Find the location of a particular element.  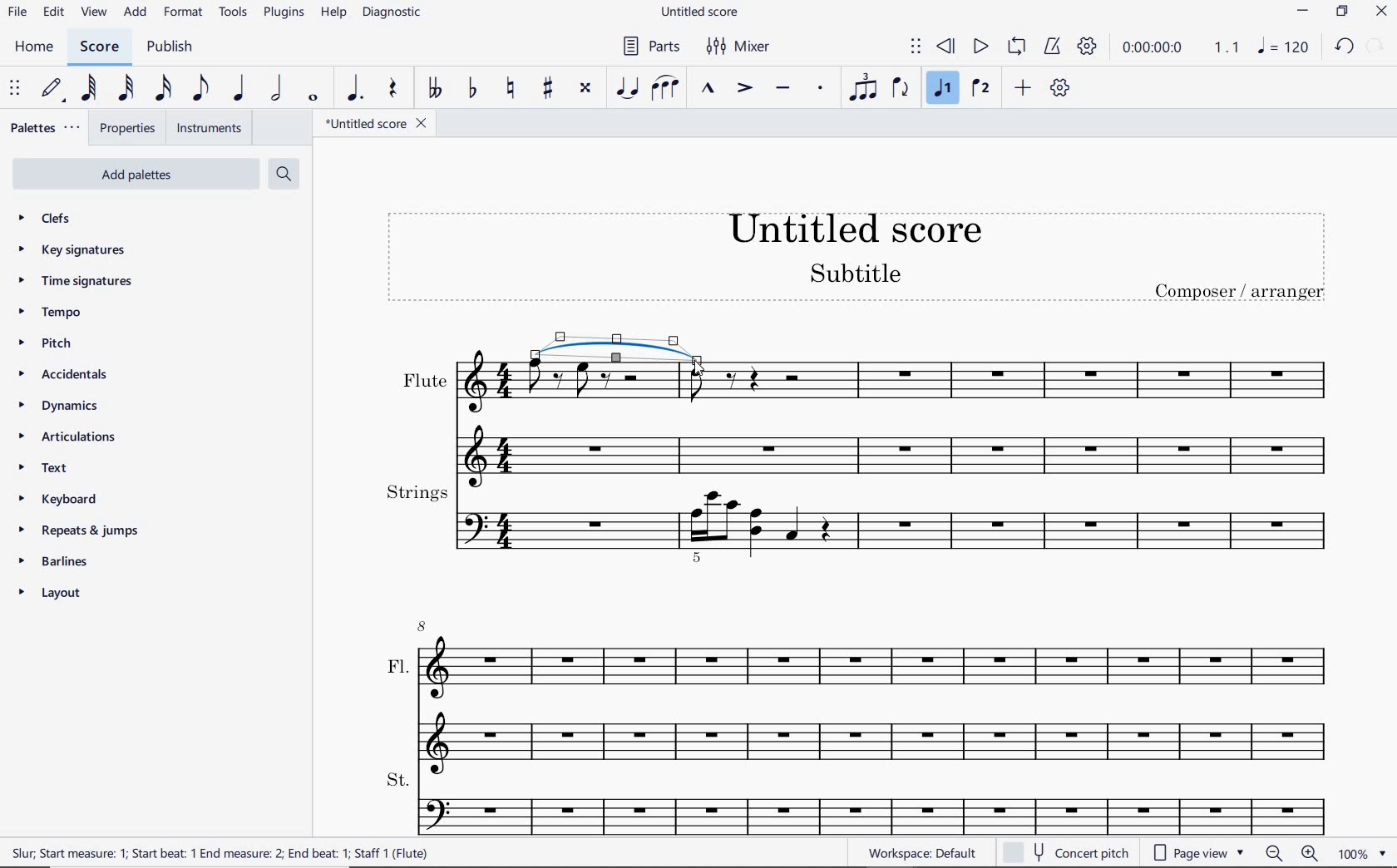

repeats & jumps is located at coordinates (84, 531).